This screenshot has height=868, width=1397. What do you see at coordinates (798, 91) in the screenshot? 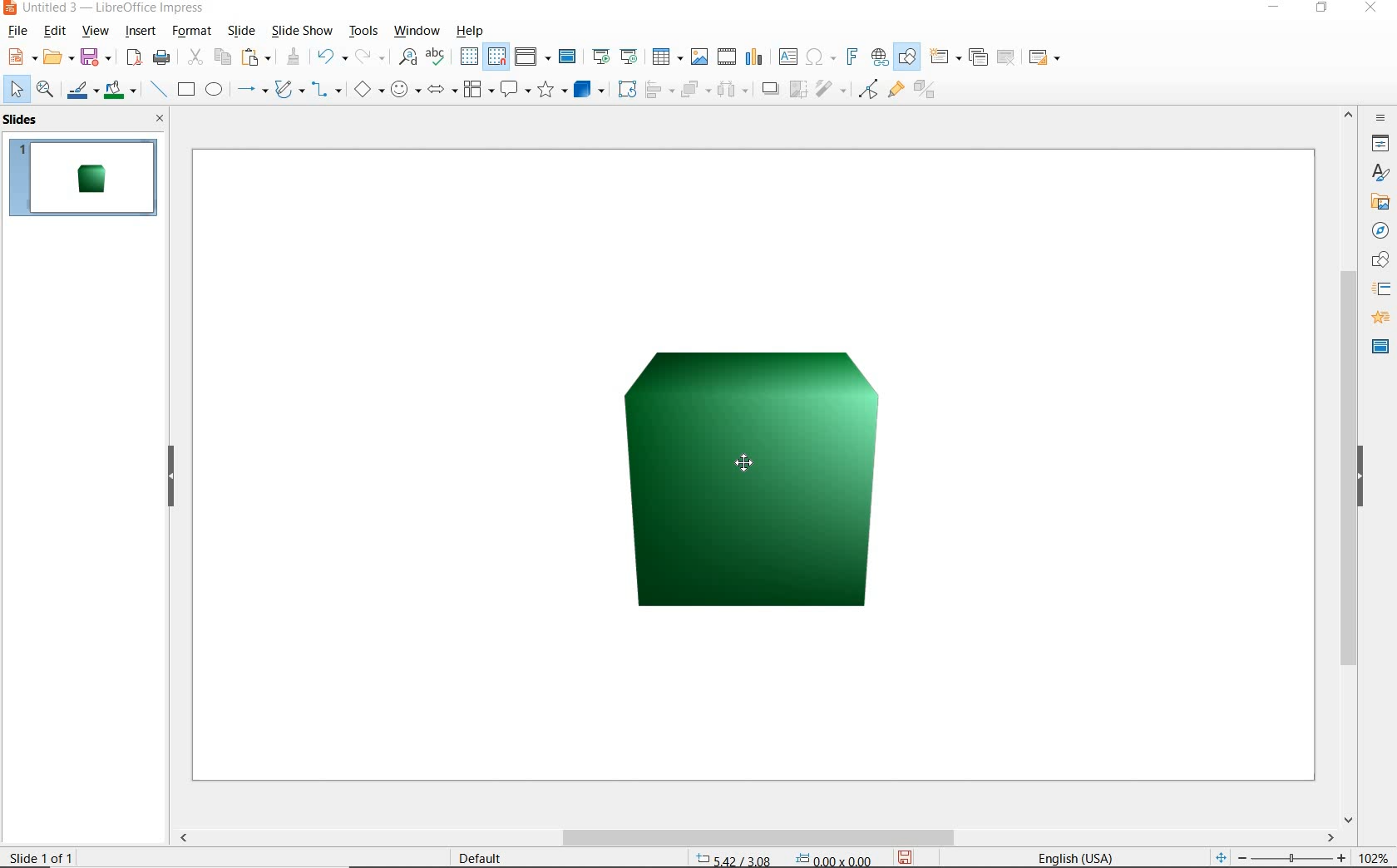
I see `CROP IMAGE` at bounding box center [798, 91].